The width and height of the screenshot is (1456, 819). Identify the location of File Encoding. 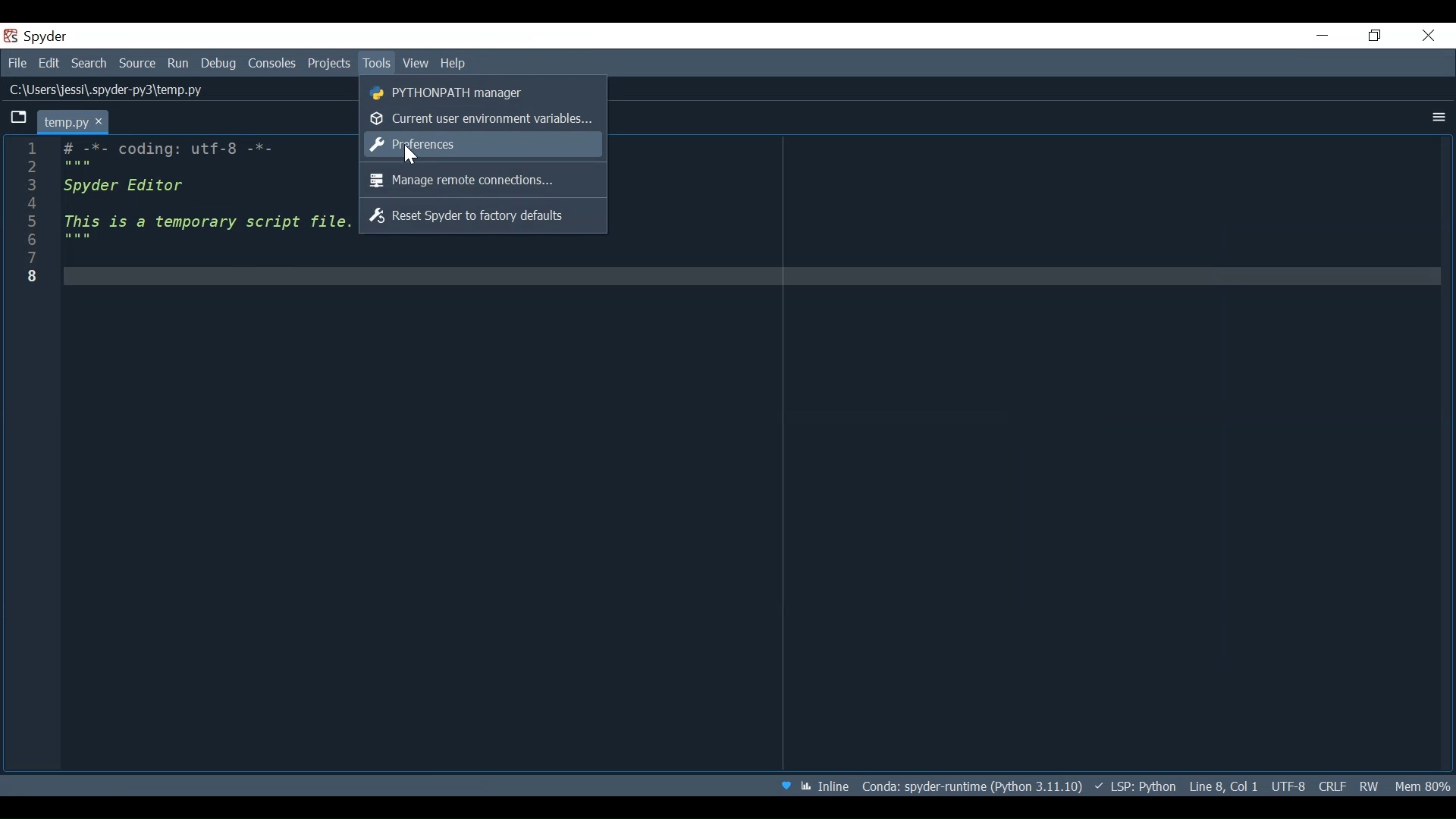
(1288, 786).